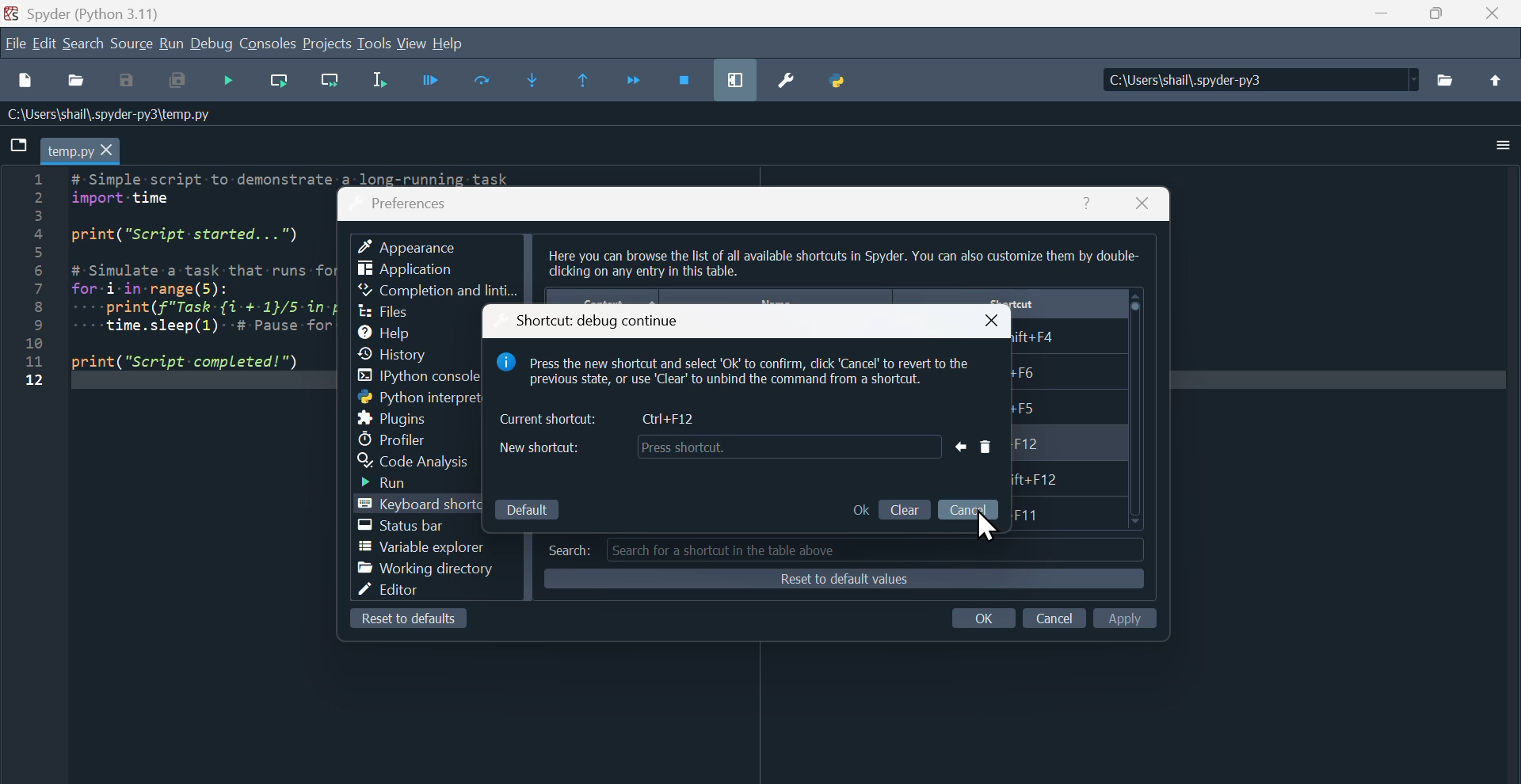 Image resolution: width=1521 pixels, height=784 pixels. I want to click on Variable explorer, so click(417, 549).